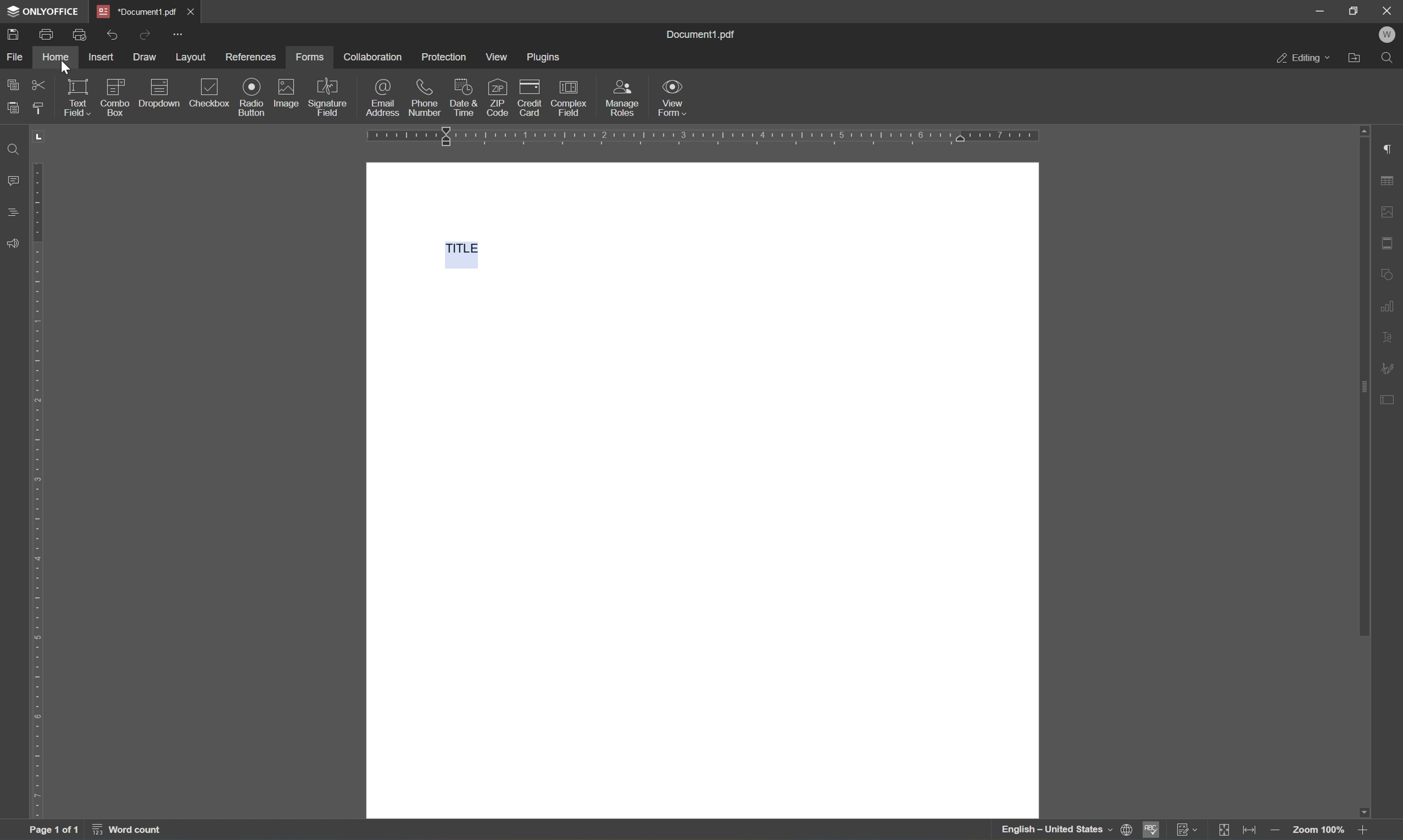 This screenshot has height=840, width=1403. I want to click on header & footer settings, so click(1390, 243).